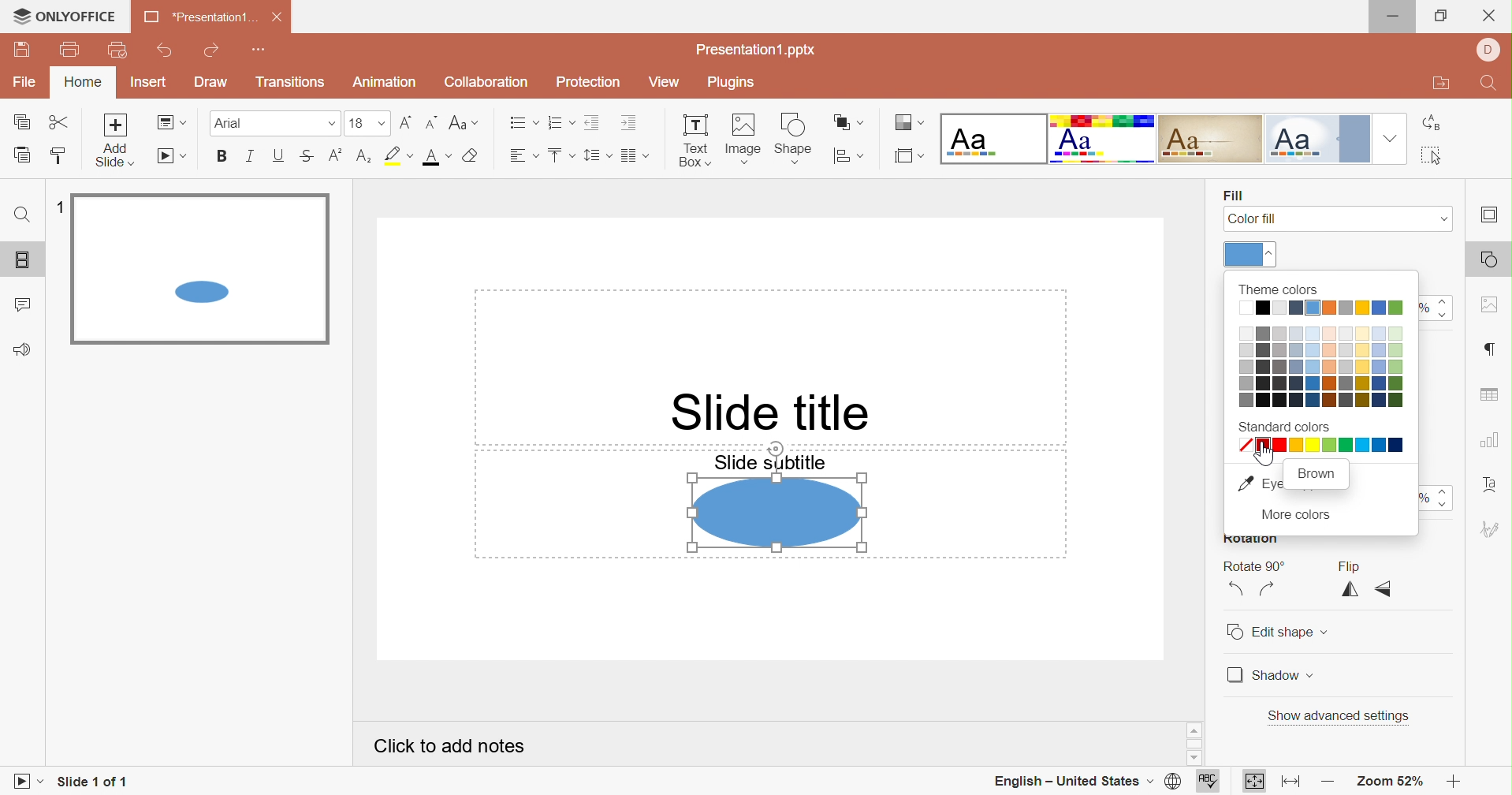 Image resolution: width=1512 pixels, height=795 pixels. What do you see at coordinates (1488, 439) in the screenshot?
I see `Chart settings` at bounding box center [1488, 439].